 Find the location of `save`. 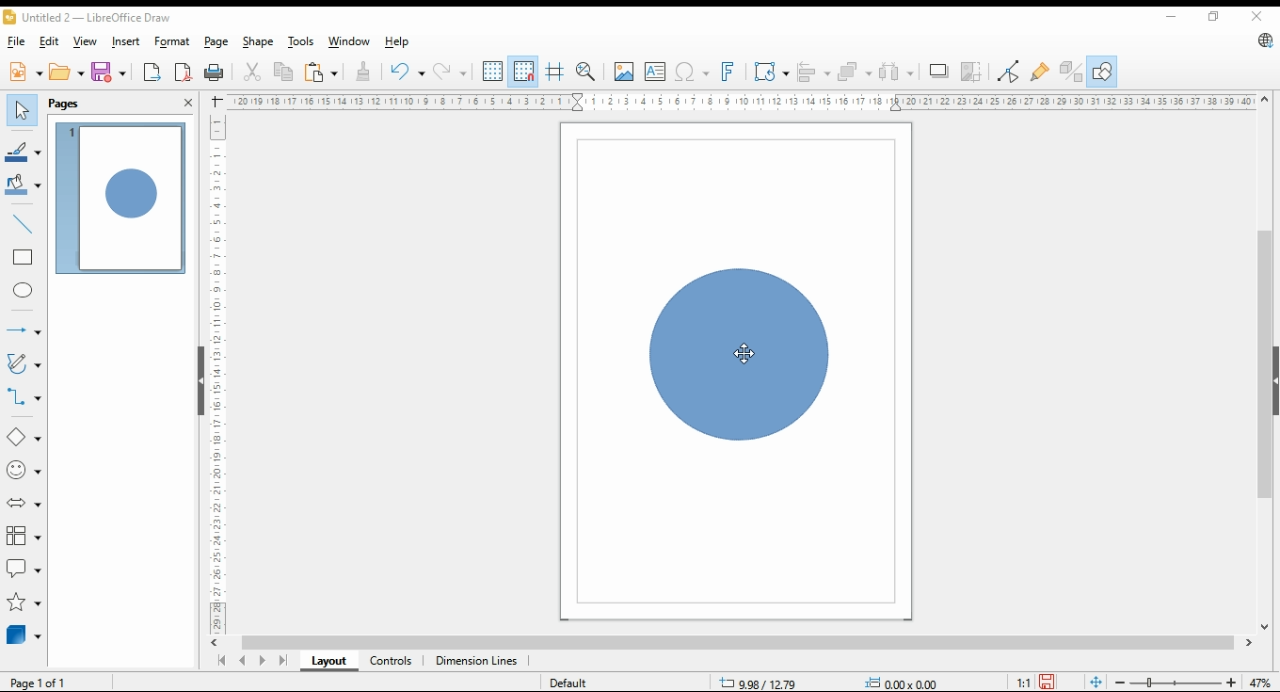

save is located at coordinates (1047, 682).